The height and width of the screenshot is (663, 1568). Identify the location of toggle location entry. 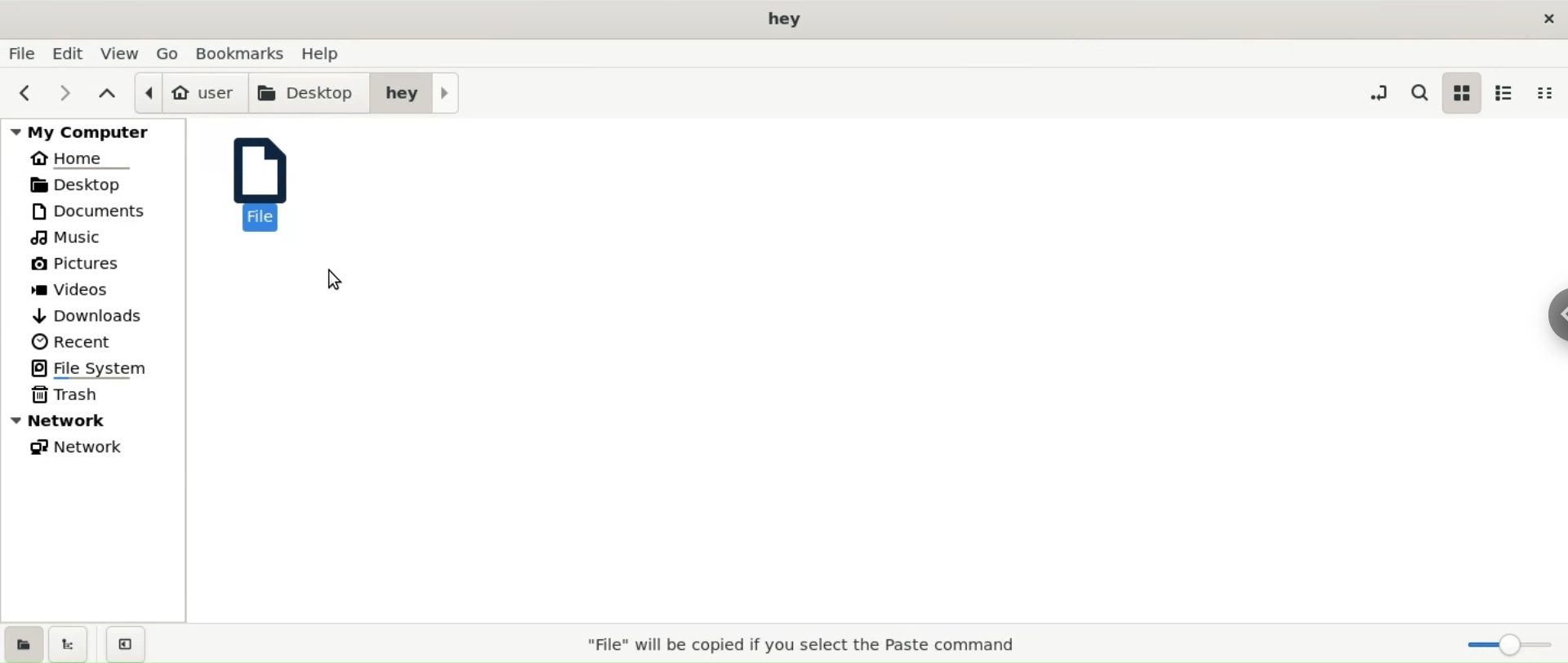
(1379, 92).